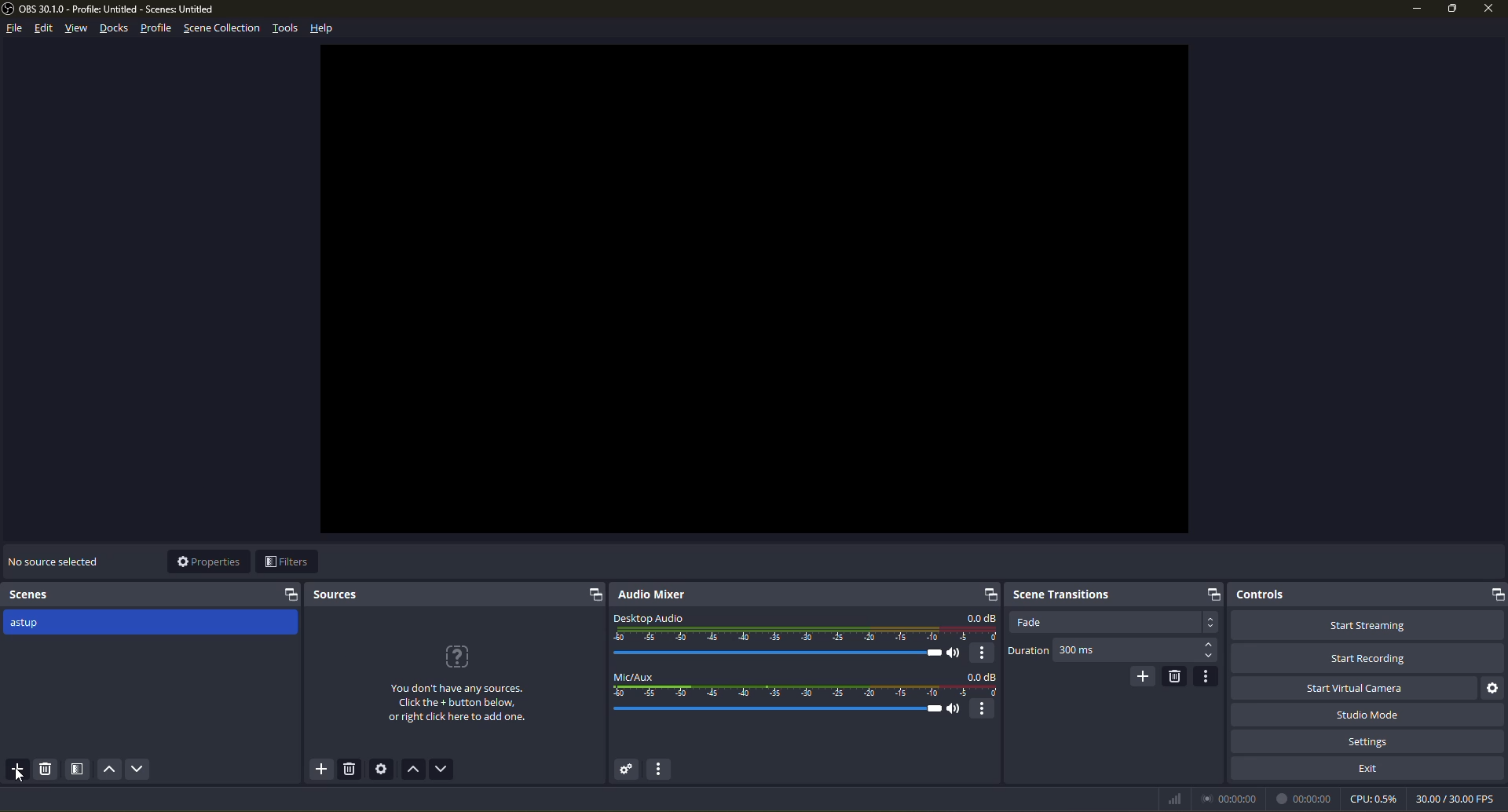 This screenshot has height=812, width=1508. What do you see at coordinates (1207, 675) in the screenshot?
I see `transition properties` at bounding box center [1207, 675].